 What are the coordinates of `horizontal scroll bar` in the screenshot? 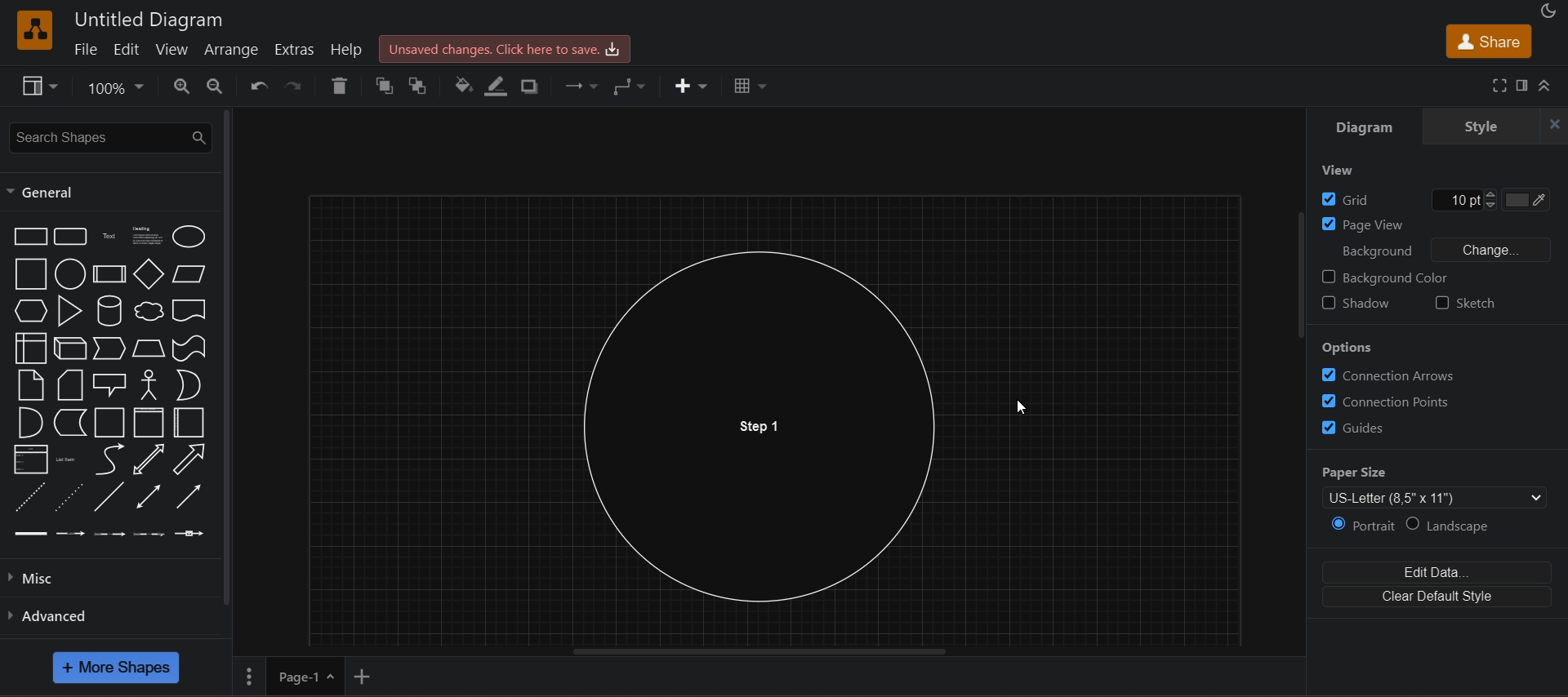 It's located at (762, 654).